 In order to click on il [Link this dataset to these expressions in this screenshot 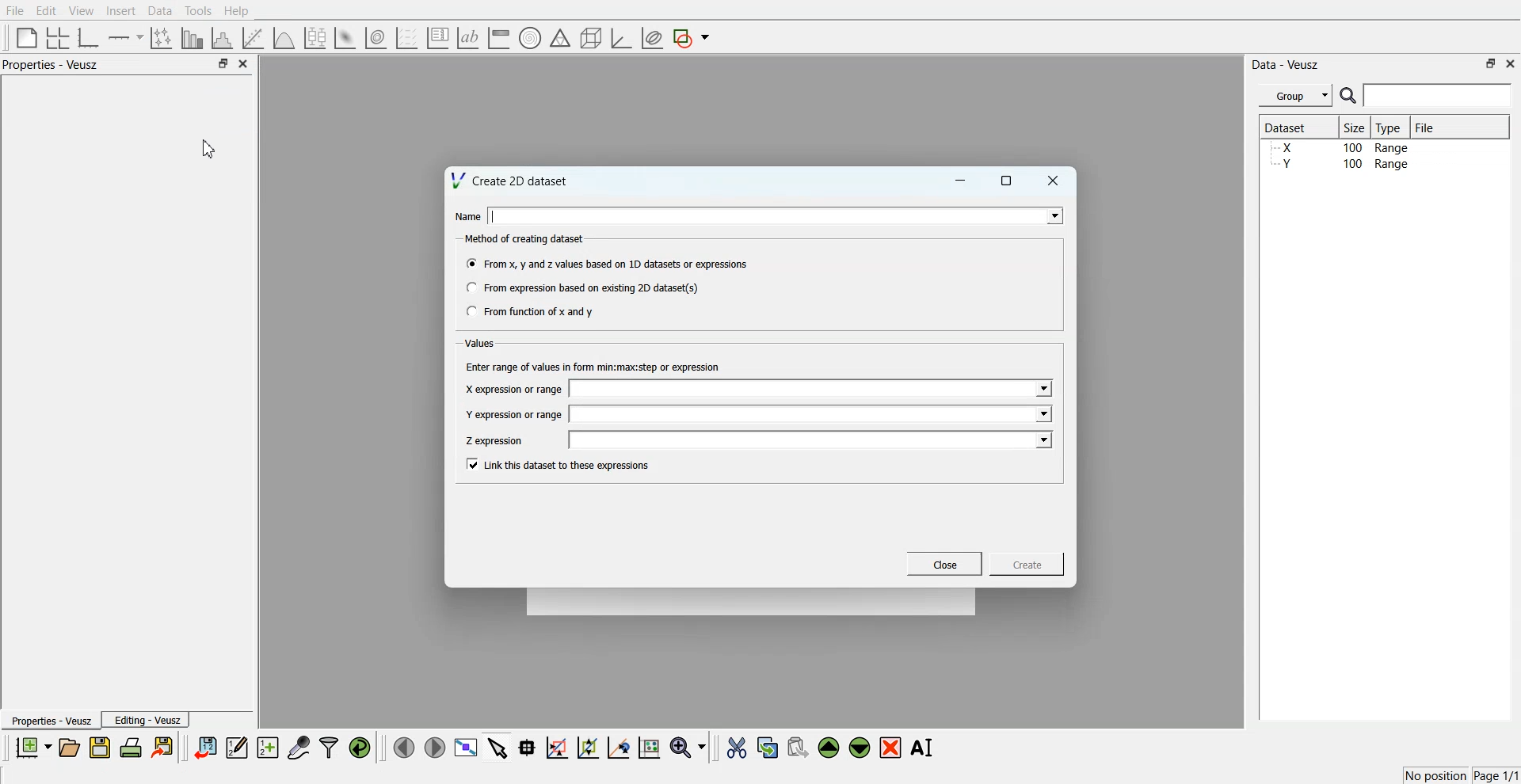, I will do `click(559, 464)`.